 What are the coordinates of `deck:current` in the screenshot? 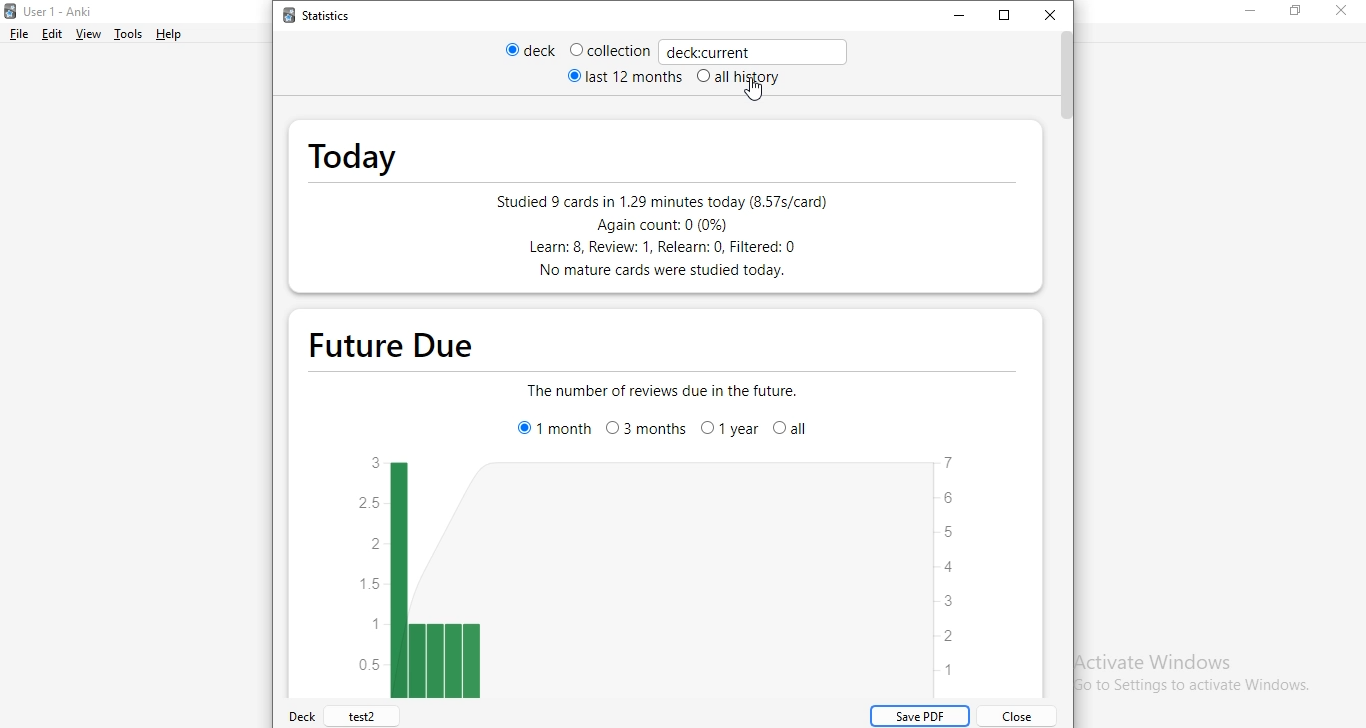 It's located at (749, 51).